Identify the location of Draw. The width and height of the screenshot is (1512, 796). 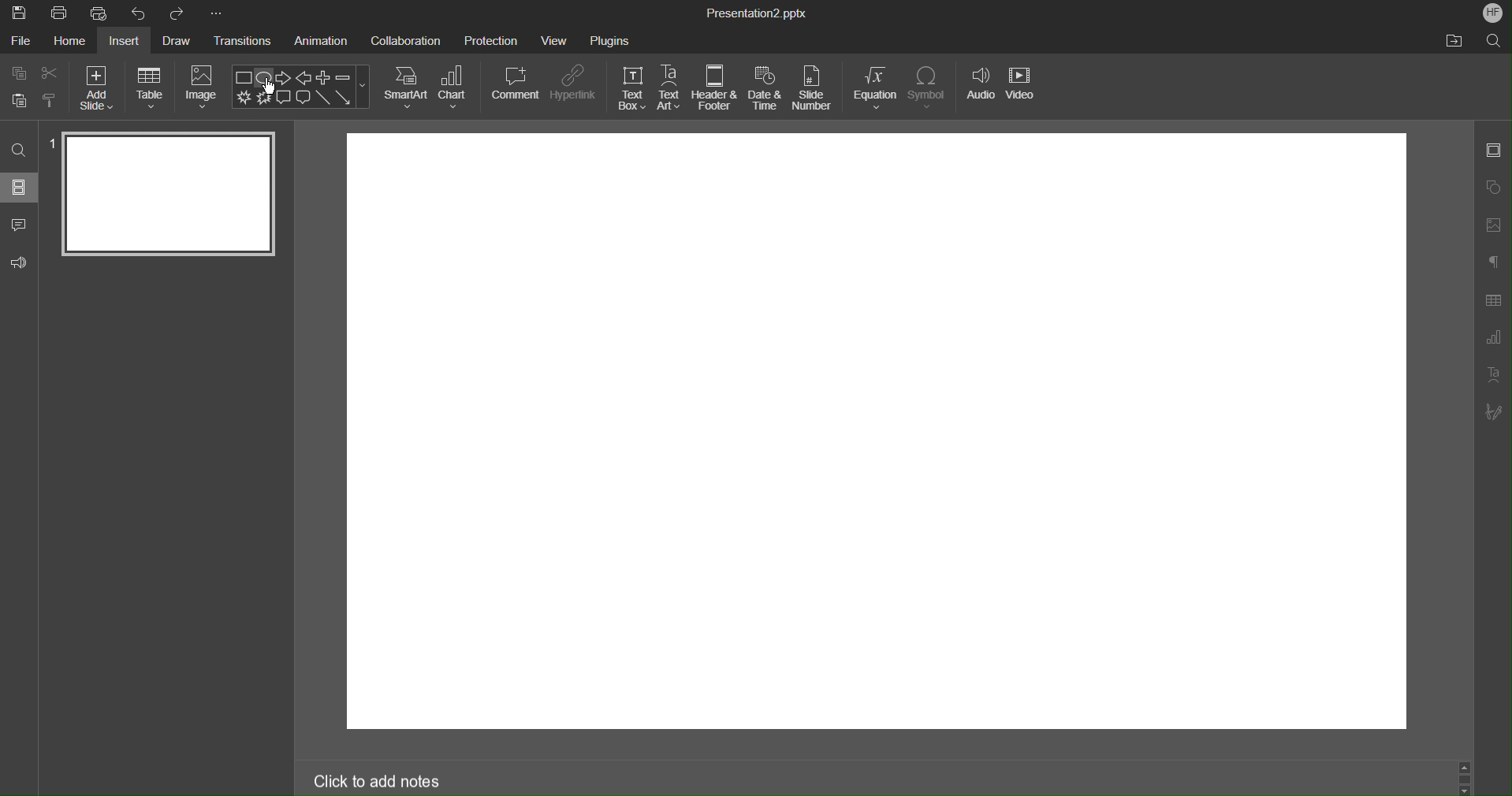
(180, 41).